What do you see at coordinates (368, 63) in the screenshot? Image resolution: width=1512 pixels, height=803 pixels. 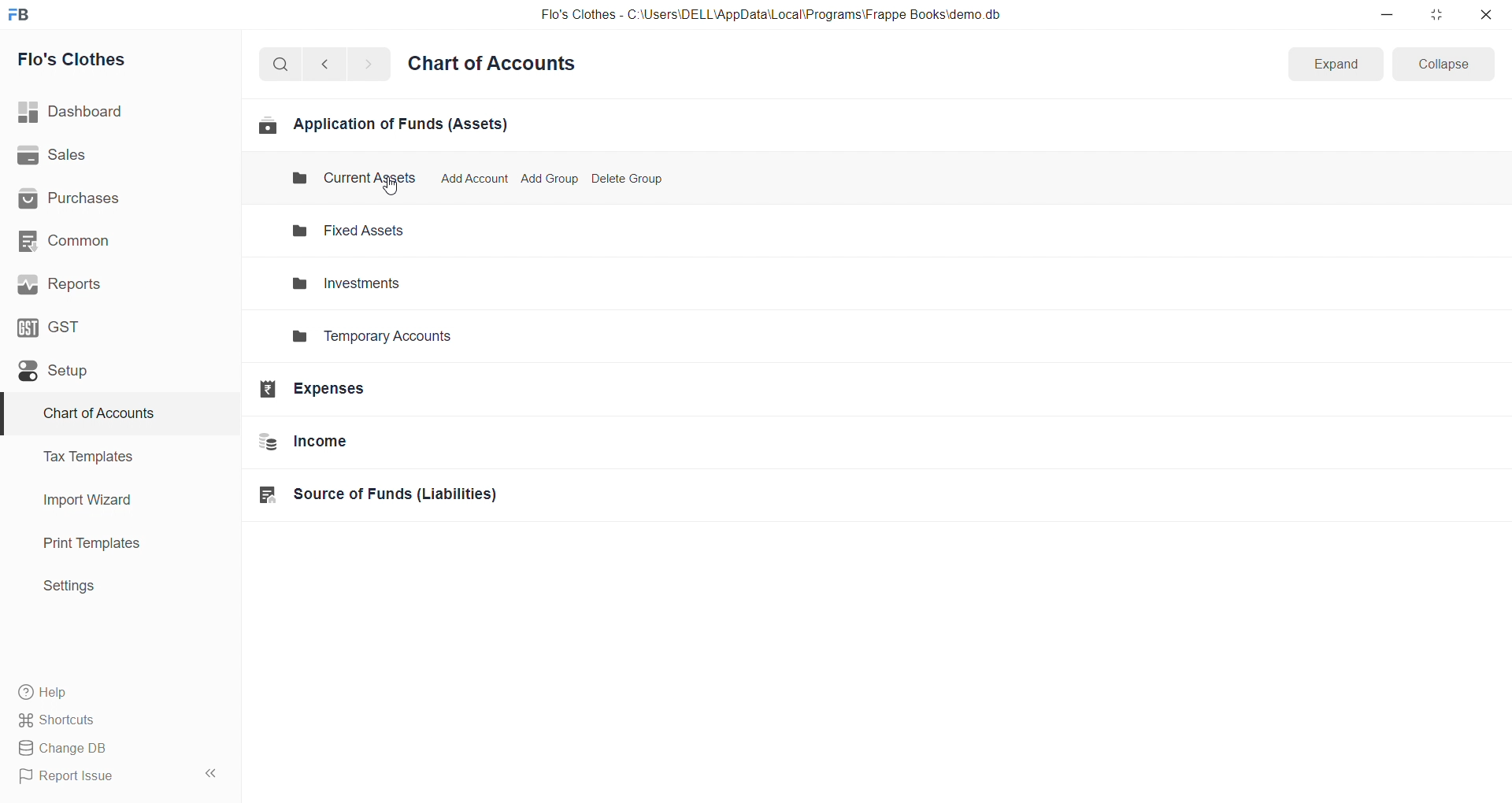 I see `navigate forward` at bounding box center [368, 63].